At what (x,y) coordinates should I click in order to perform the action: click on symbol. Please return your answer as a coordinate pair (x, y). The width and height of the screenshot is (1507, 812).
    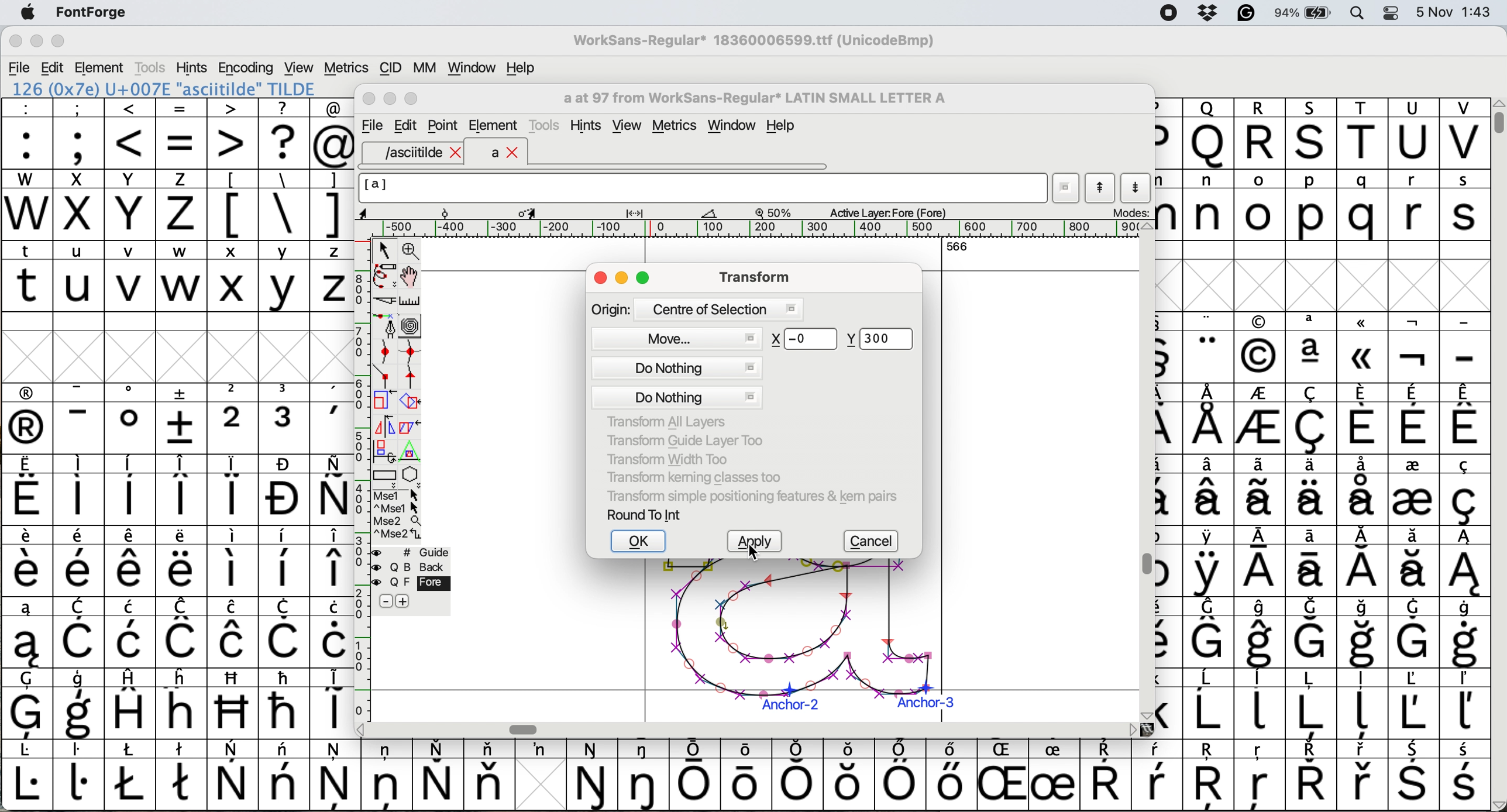
    Looking at the image, I should click on (80, 705).